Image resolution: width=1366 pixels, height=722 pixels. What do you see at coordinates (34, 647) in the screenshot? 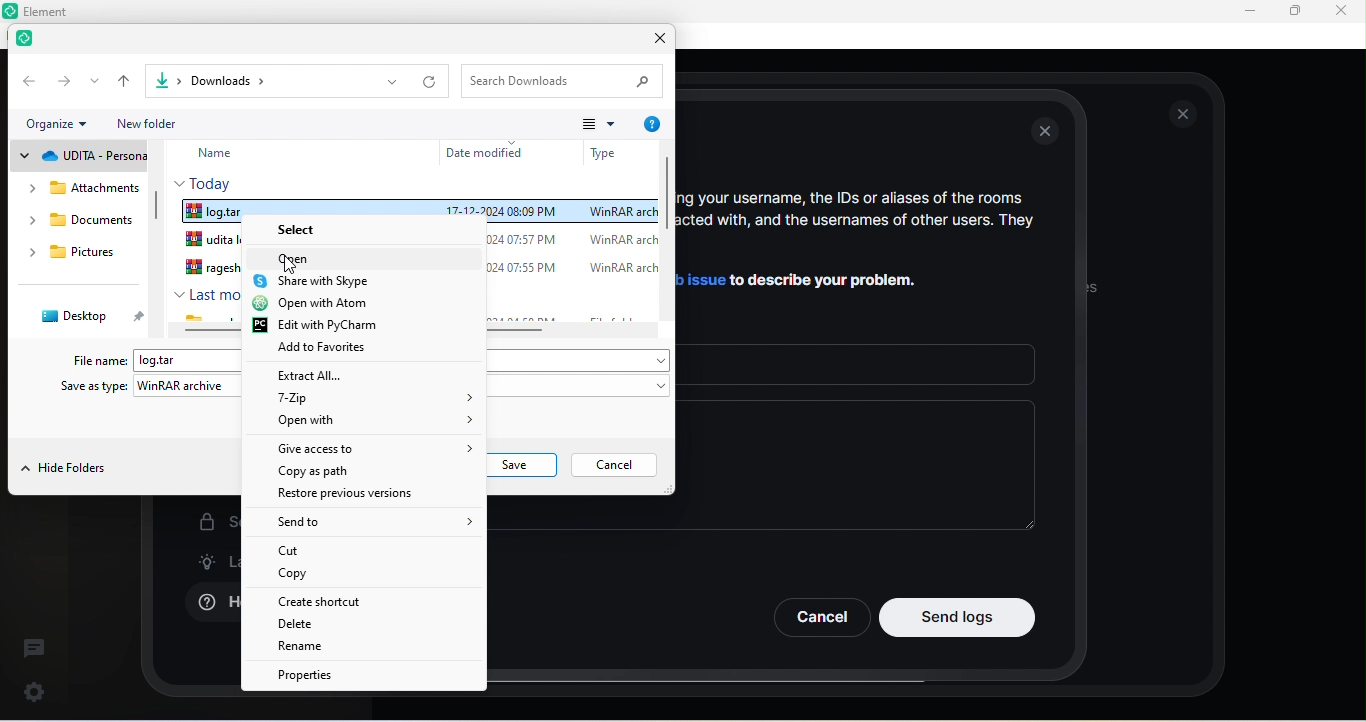
I see `thread` at bounding box center [34, 647].